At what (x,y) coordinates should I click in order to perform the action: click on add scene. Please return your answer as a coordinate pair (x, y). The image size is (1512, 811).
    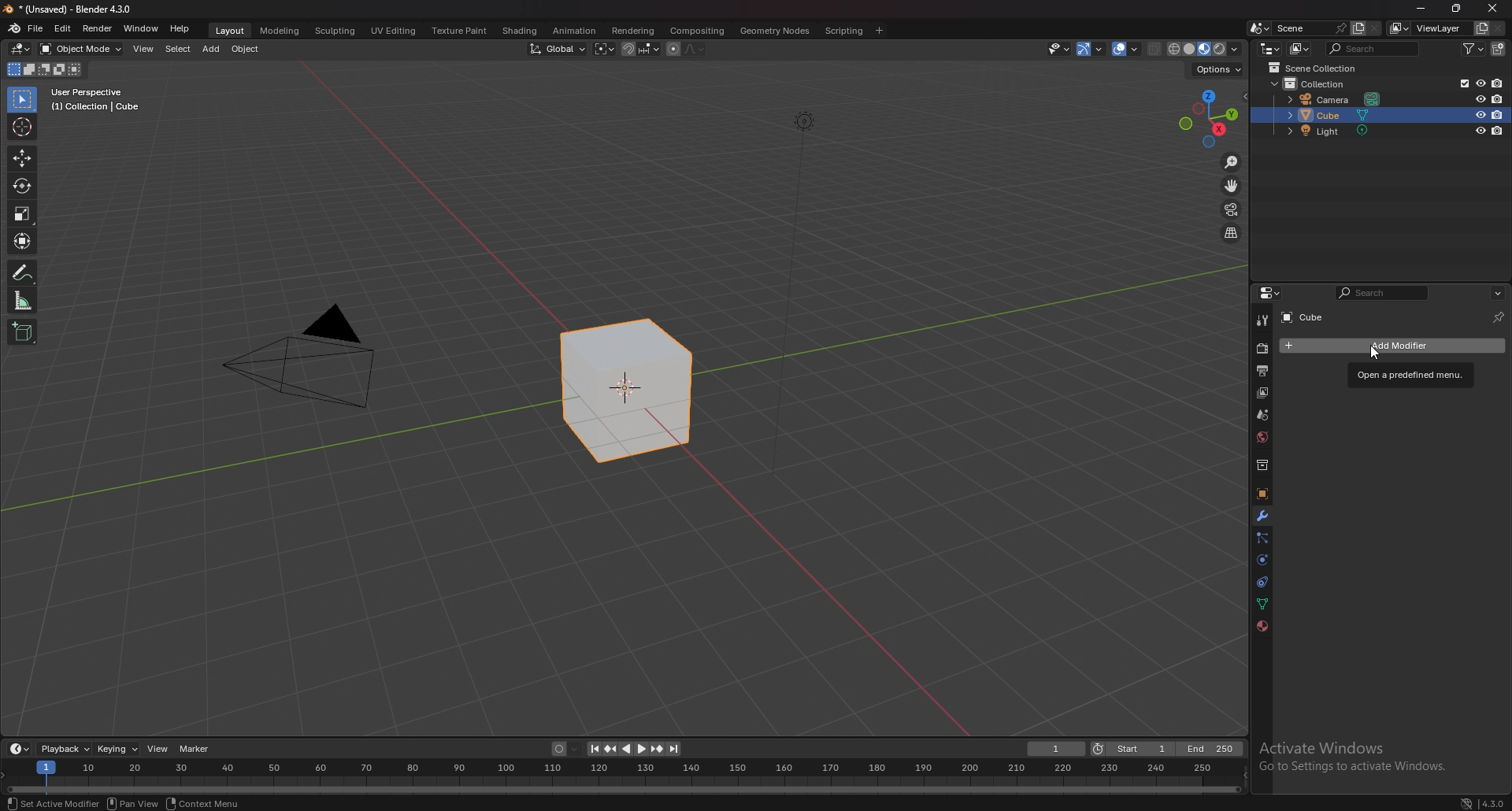
    Looking at the image, I should click on (1357, 28).